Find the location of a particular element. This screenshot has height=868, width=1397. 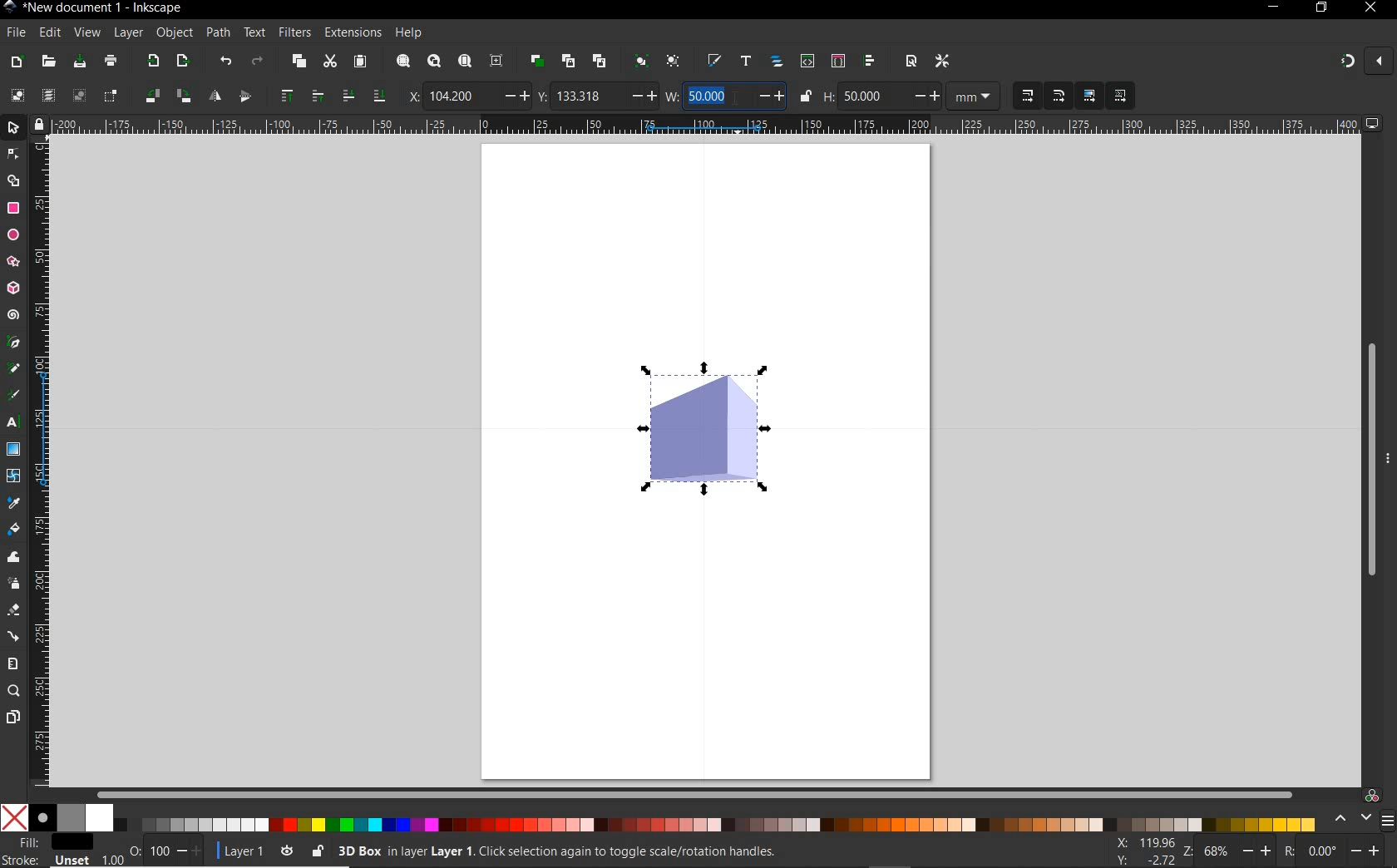

minimize is located at coordinates (1272, 8).